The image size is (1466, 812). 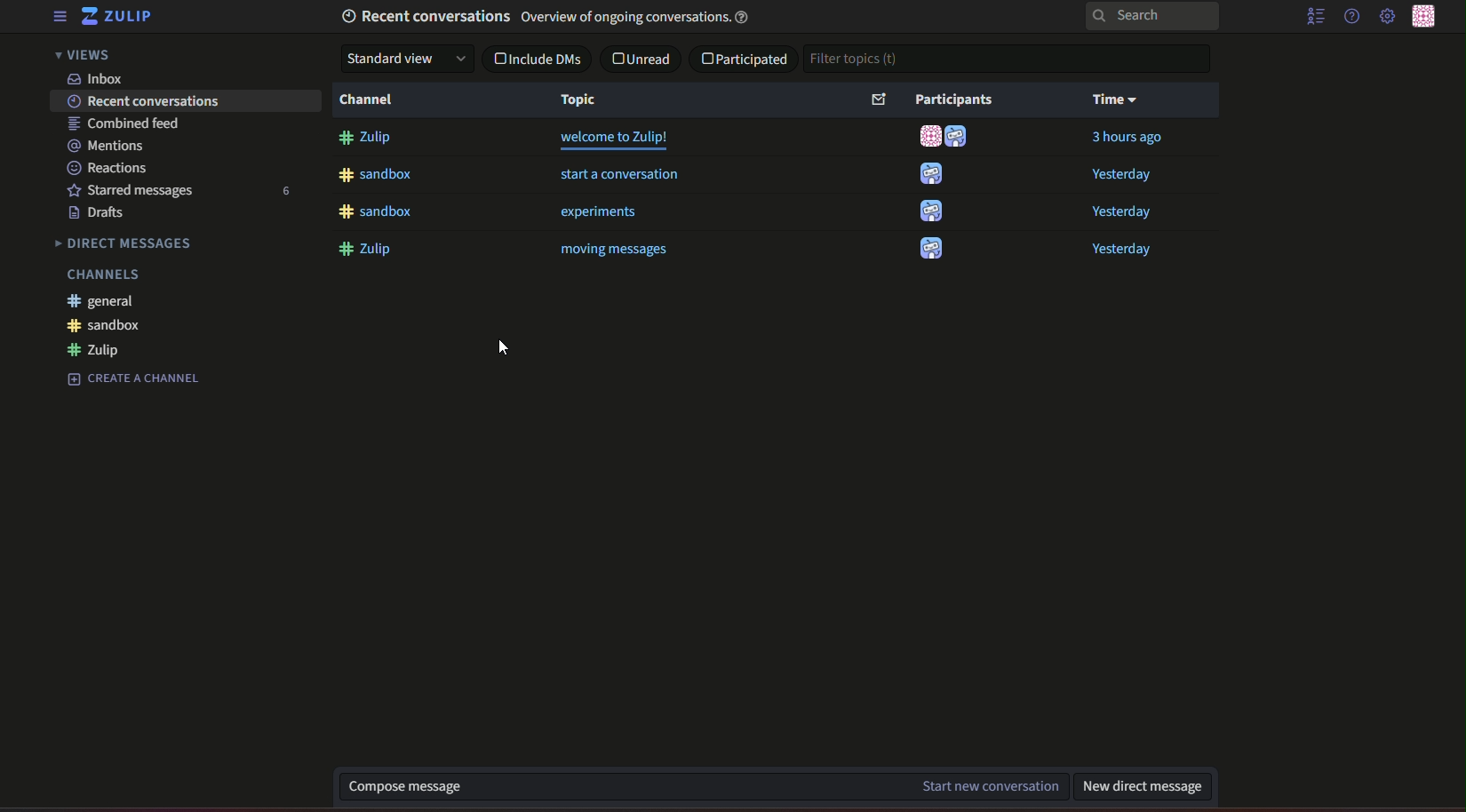 What do you see at coordinates (641, 58) in the screenshot?
I see `unread check box` at bounding box center [641, 58].